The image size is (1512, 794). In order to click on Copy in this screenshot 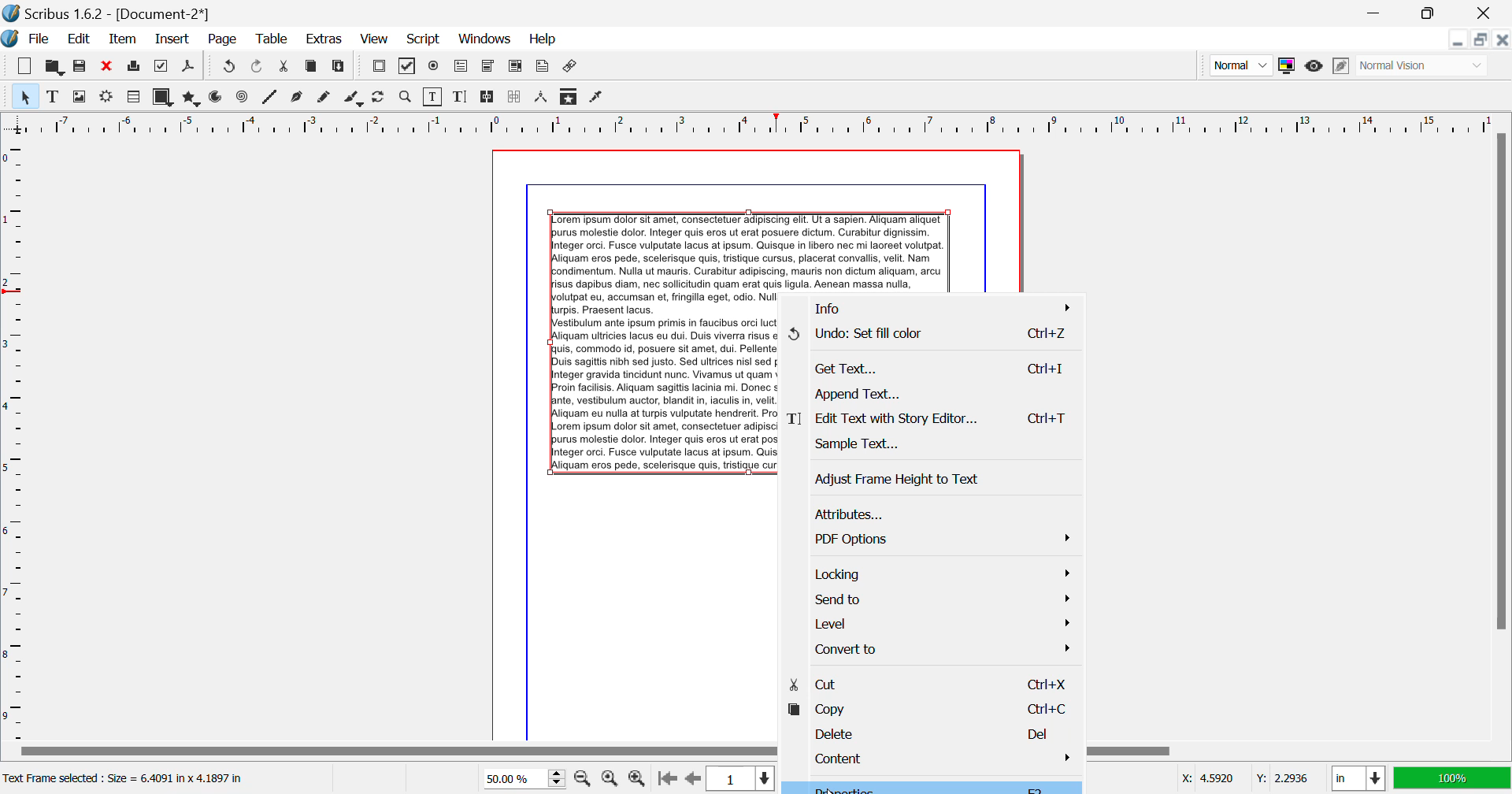, I will do `click(312, 69)`.